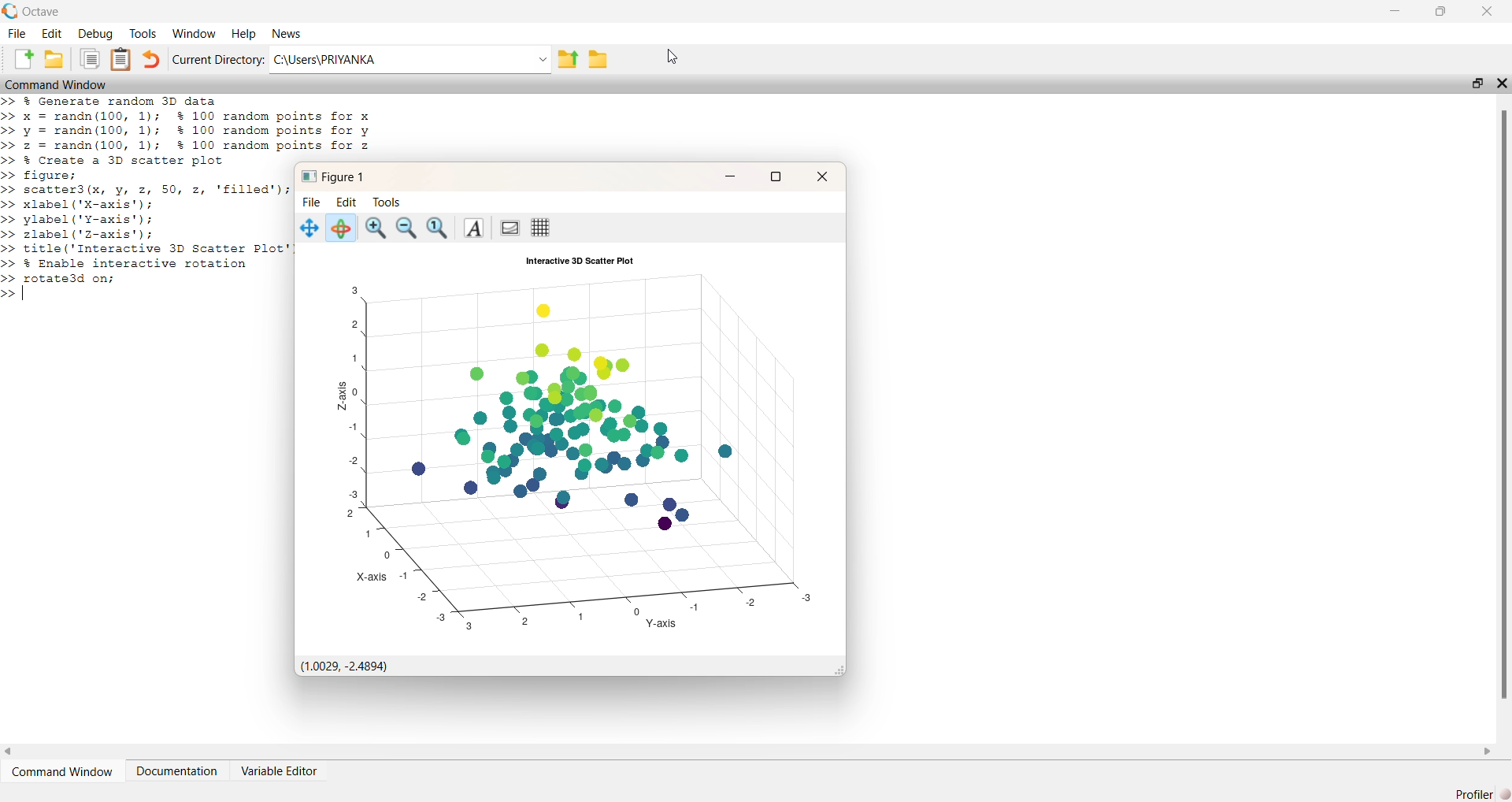 The width and height of the screenshot is (1512, 802). Describe the element at coordinates (821, 176) in the screenshot. I see `close` at that location.